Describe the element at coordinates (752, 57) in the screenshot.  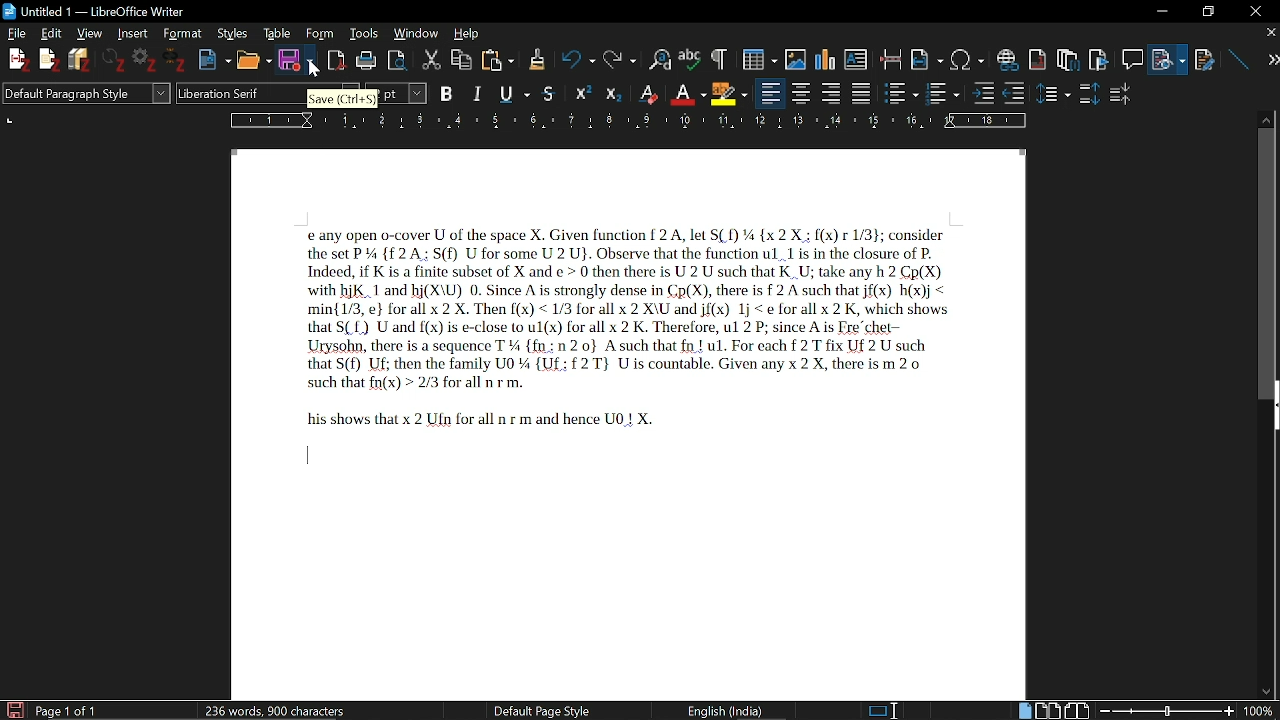
I see `Insert table` at that location.